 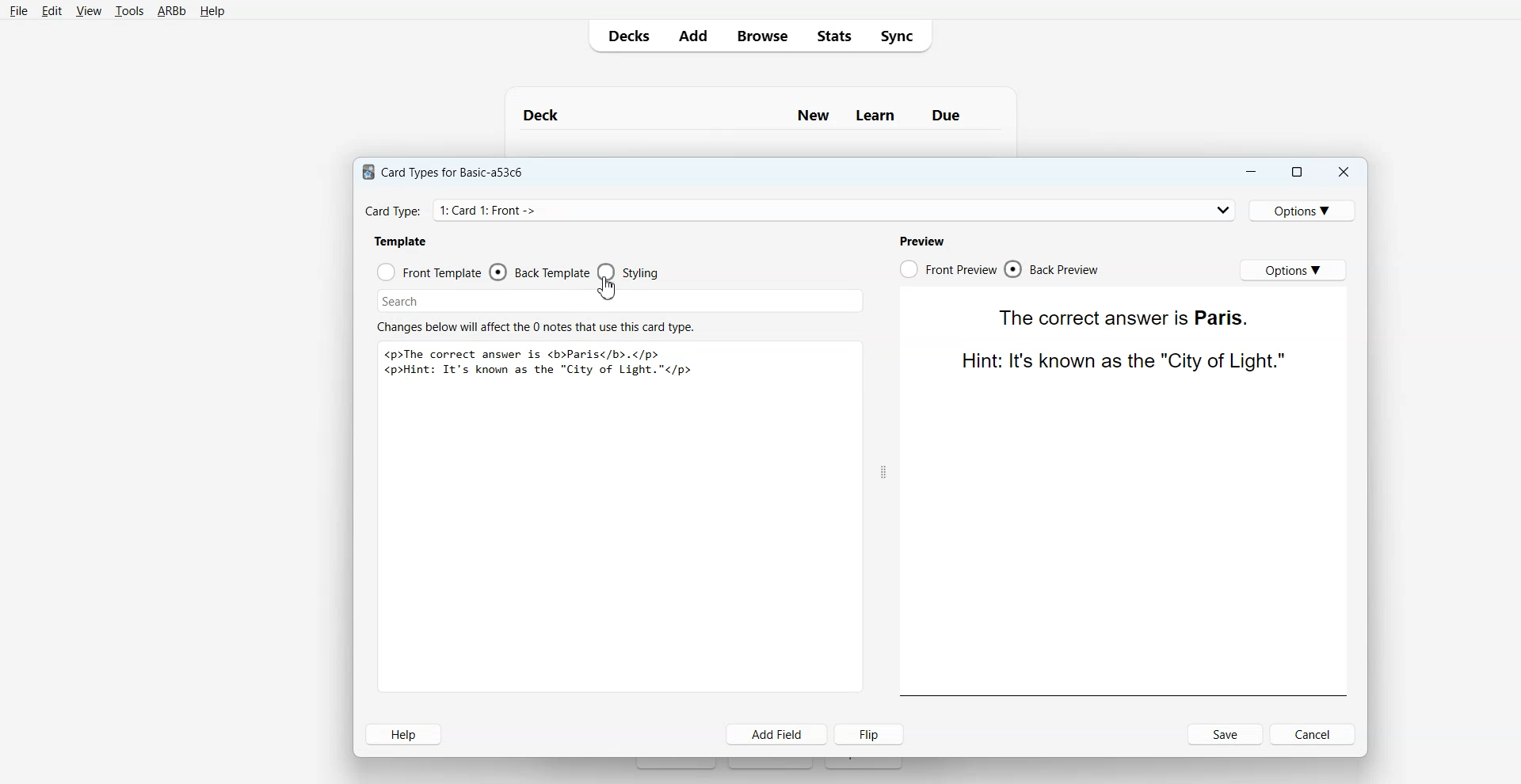 What do you see at coordinates (1305, 210) in the screenshot?
I see `Options` at bounding box center [1305, 210].